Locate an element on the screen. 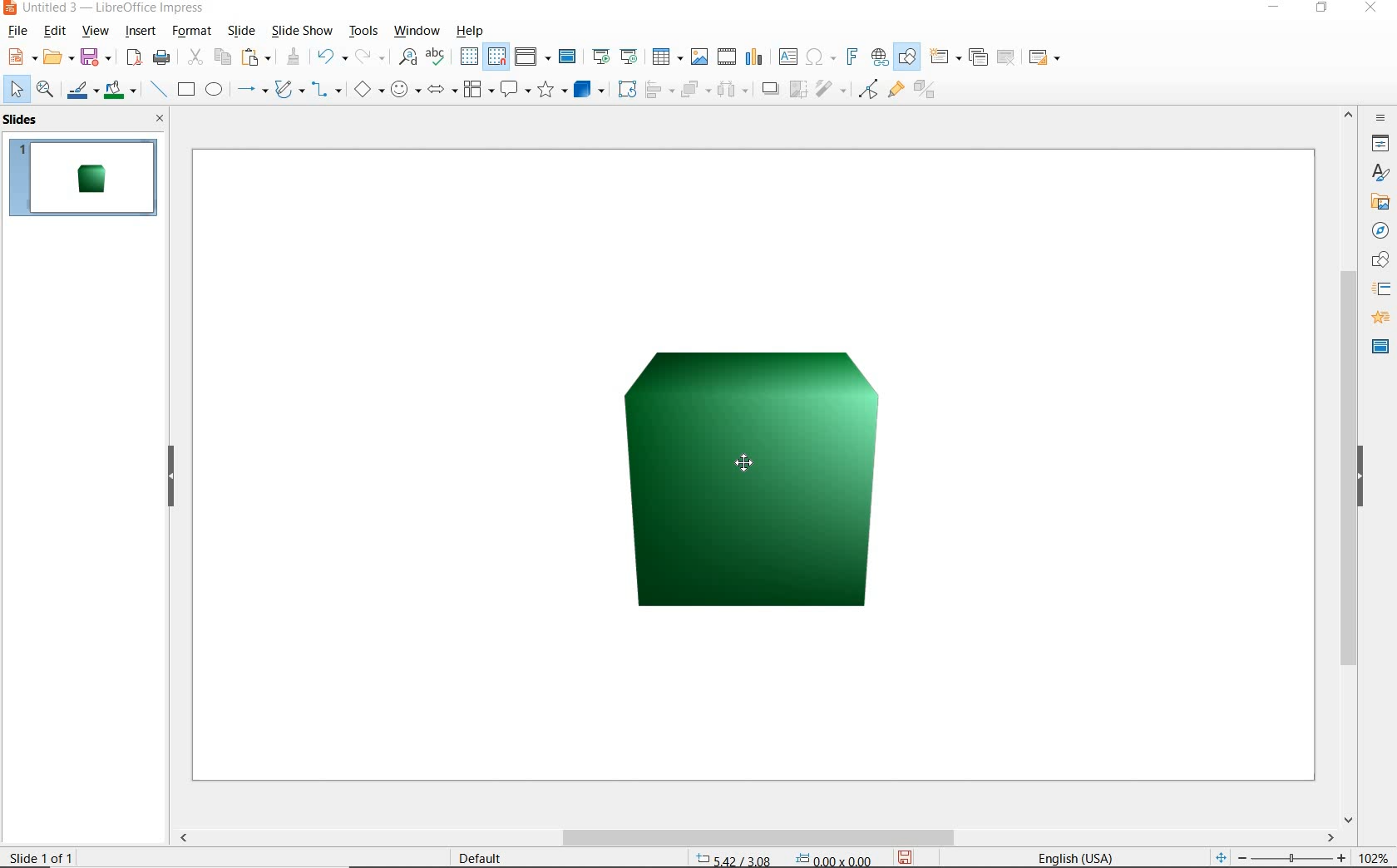 This screenshot has width=1397, height=868. delete slide is located at coordinates (1007, 57).